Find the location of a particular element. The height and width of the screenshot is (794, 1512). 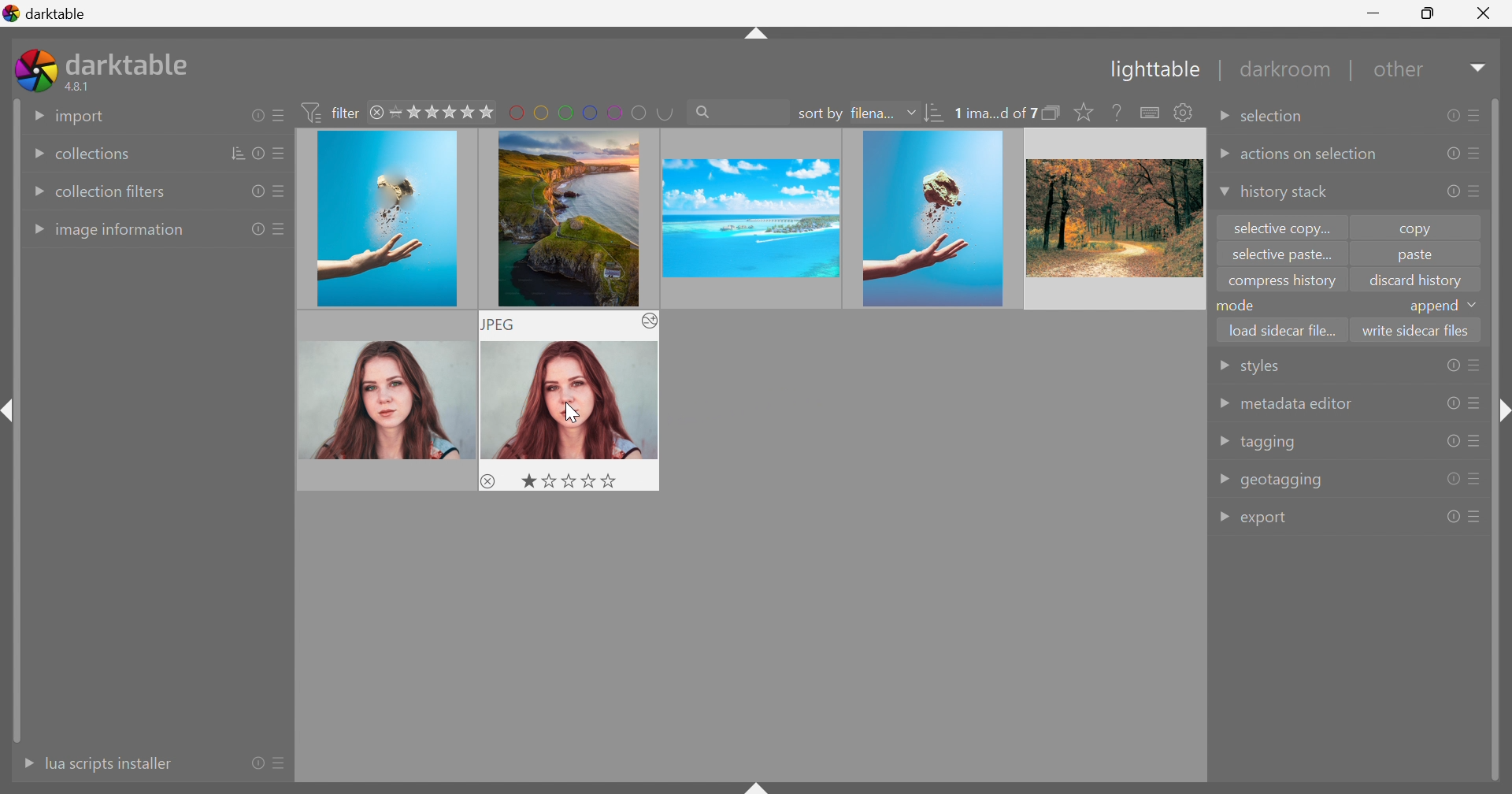

filena... is located at coordinates (870, 114).